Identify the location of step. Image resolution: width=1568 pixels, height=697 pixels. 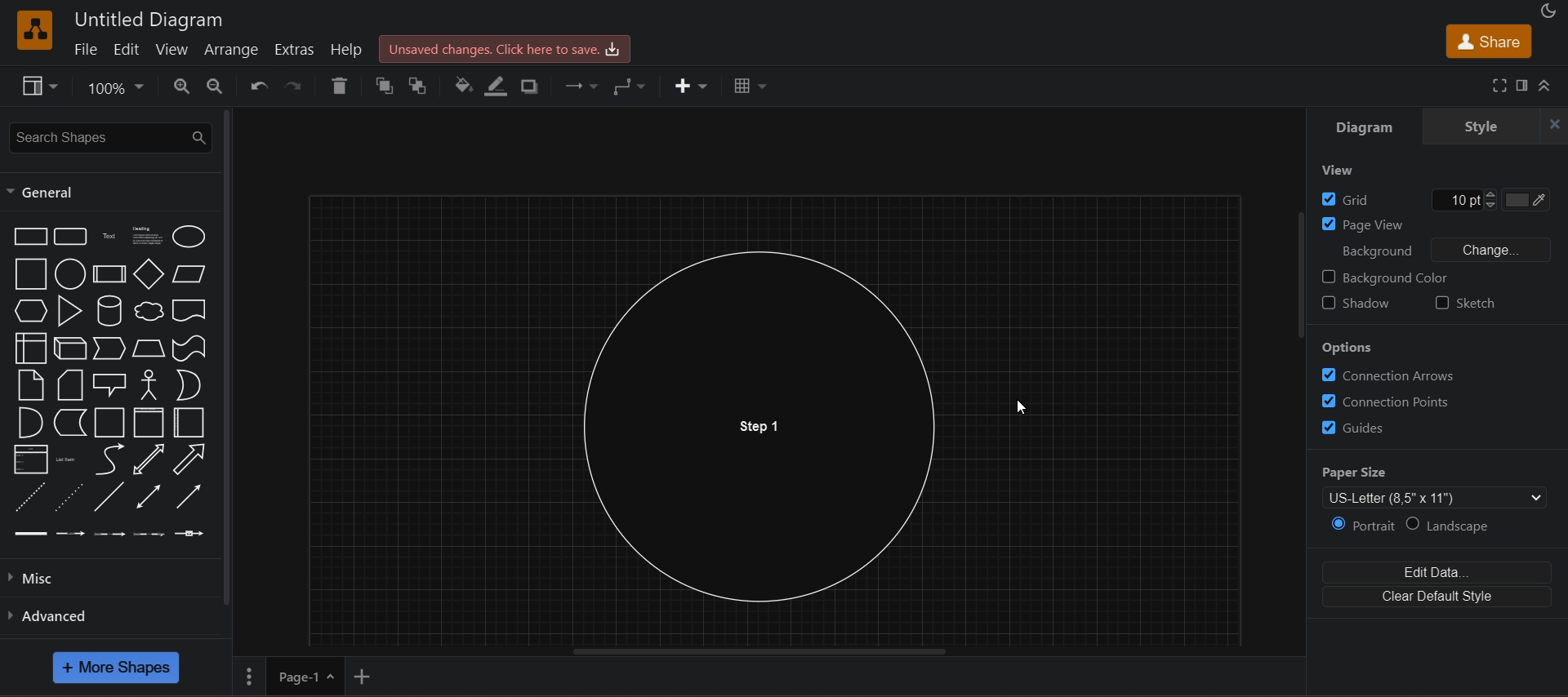
(108, 352).